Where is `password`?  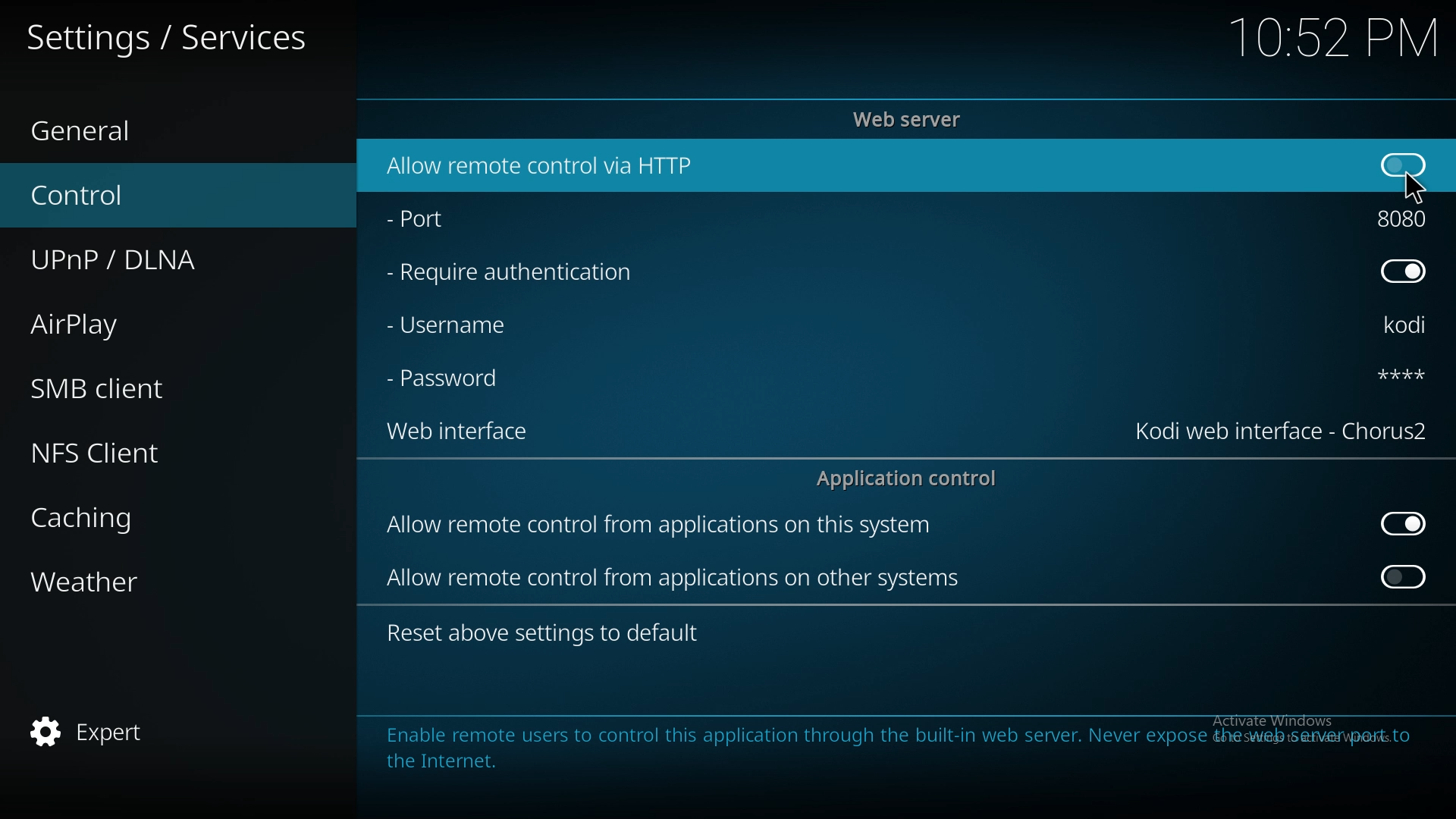 password is located at coordinates (1389, 374).